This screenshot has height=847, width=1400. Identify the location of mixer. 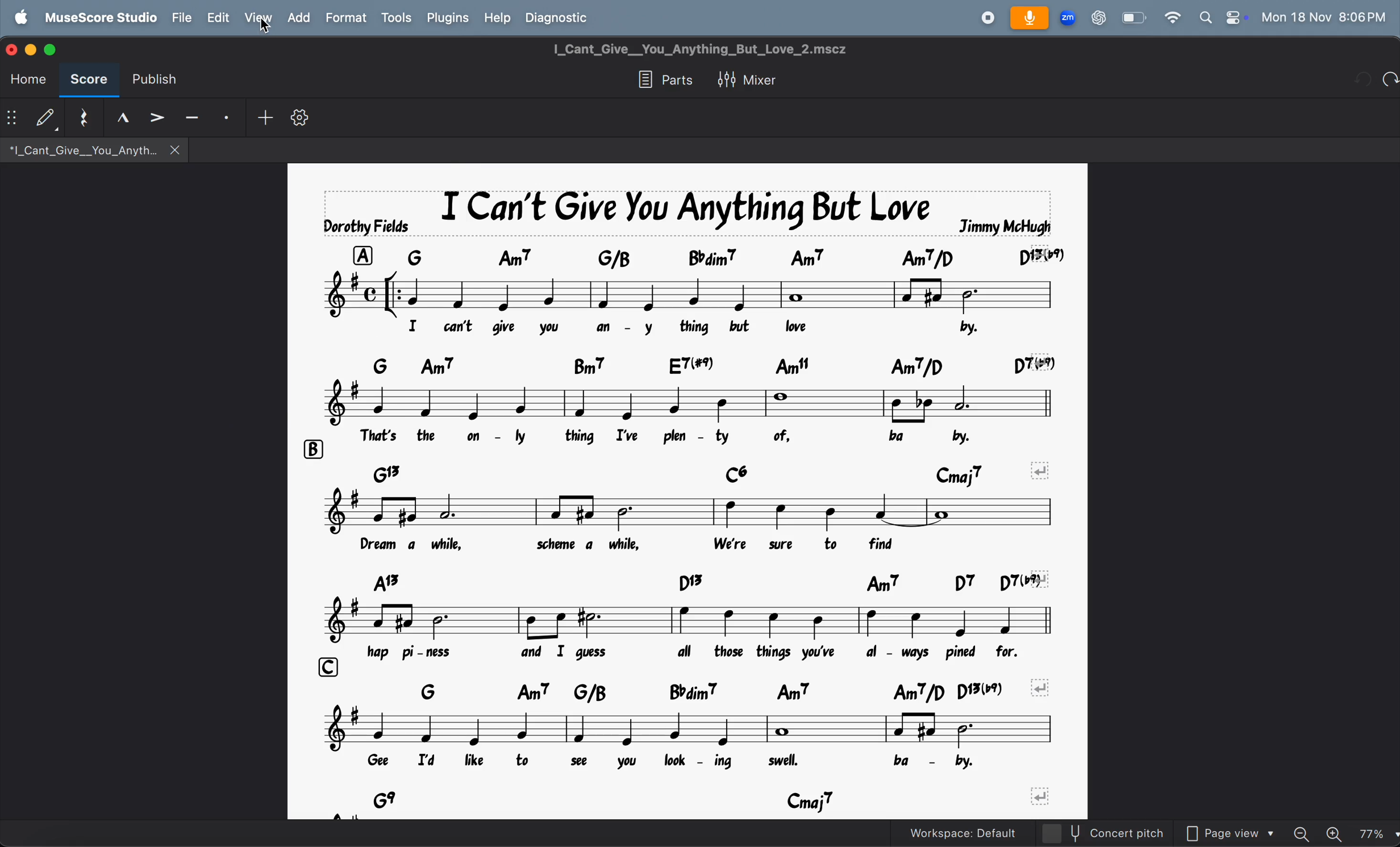
(748, 81).